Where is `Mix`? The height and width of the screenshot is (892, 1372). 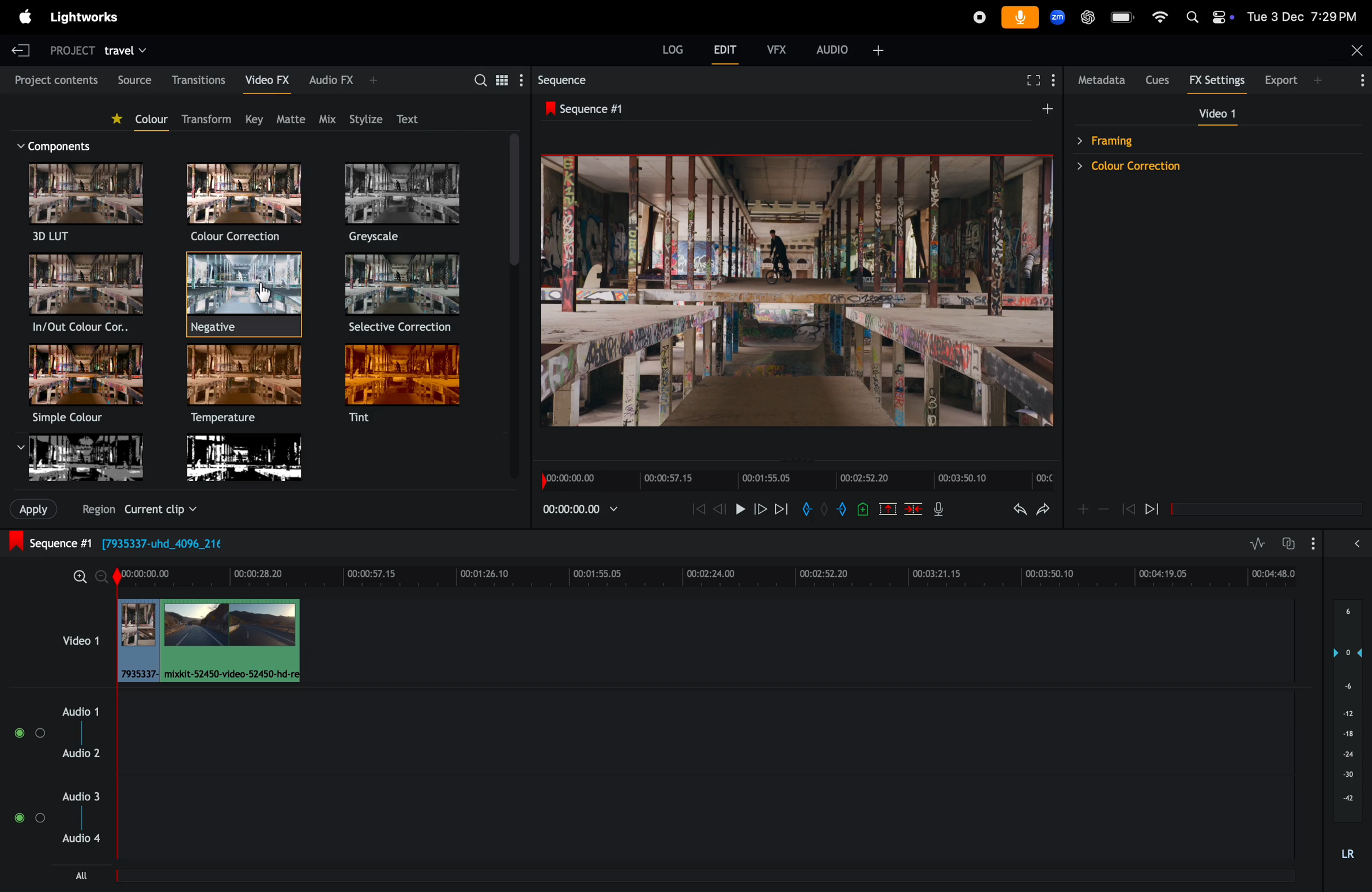 Mix is located at coordinates (327, 118).